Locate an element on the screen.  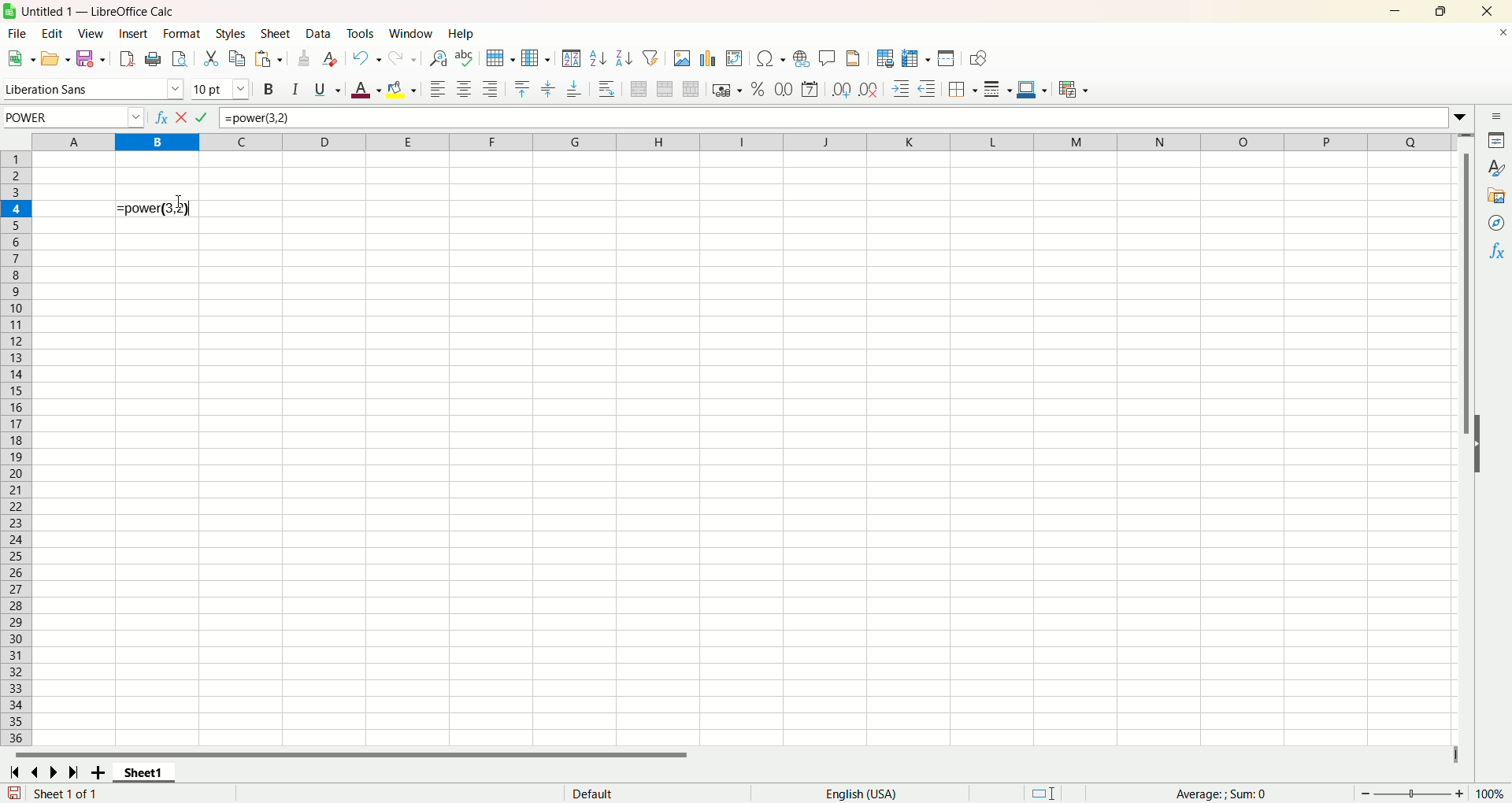
align center is located at coordinates (467, 90).